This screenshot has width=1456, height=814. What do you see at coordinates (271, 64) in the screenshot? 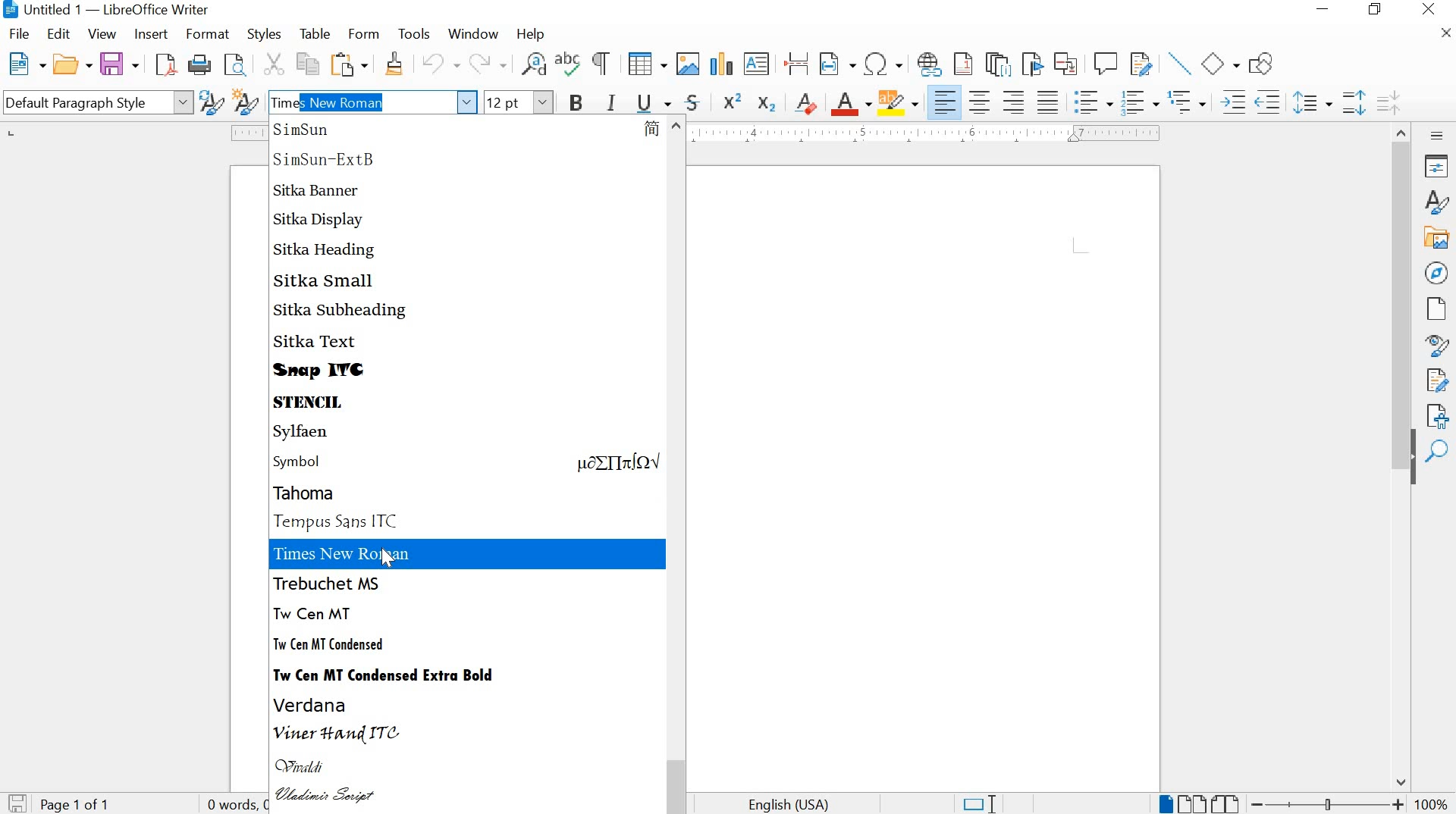
I see `CUT` at bounding box center [271, 64].